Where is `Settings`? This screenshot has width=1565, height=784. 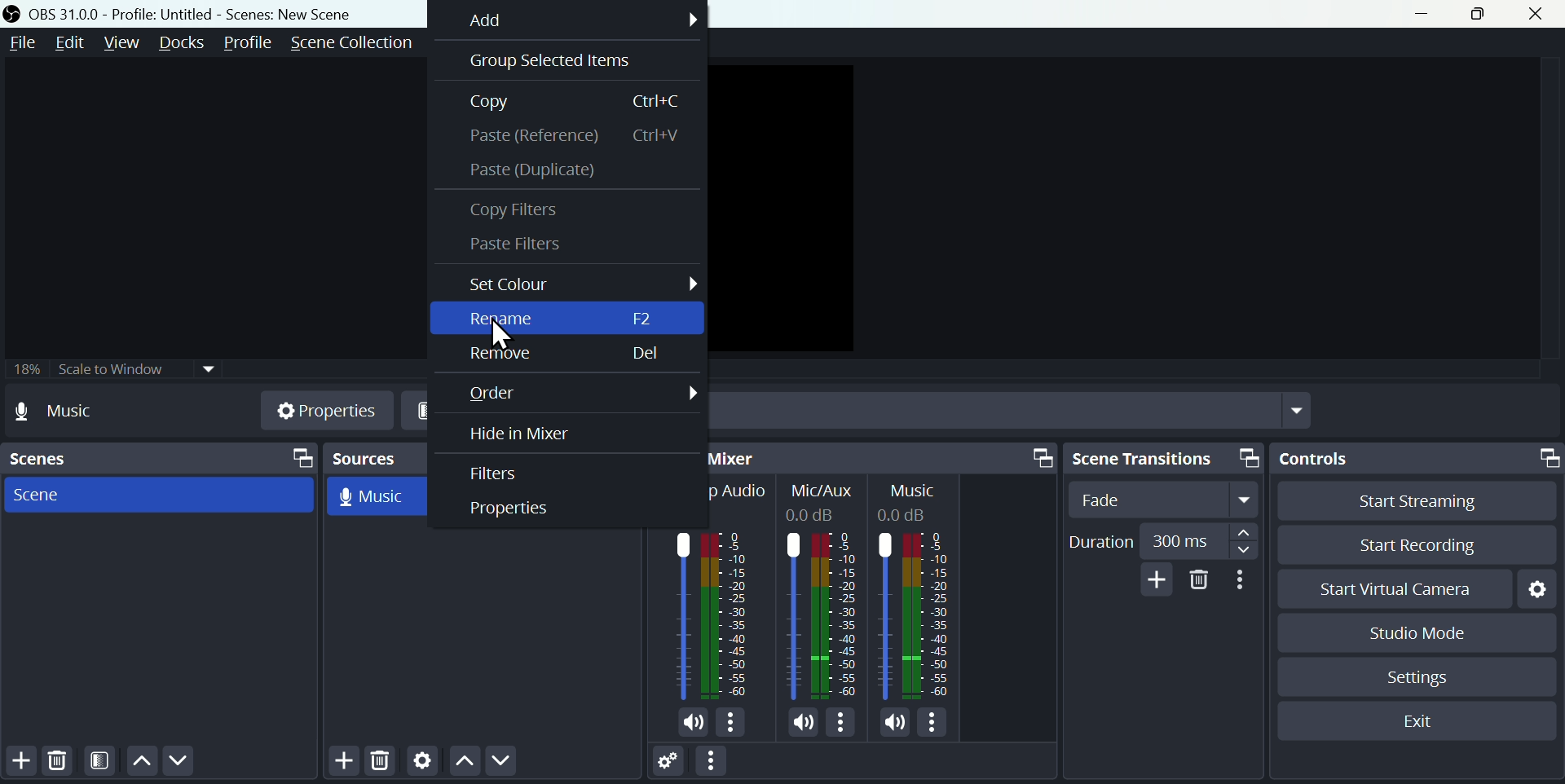 Settings is located at coordinates (1537, 592).